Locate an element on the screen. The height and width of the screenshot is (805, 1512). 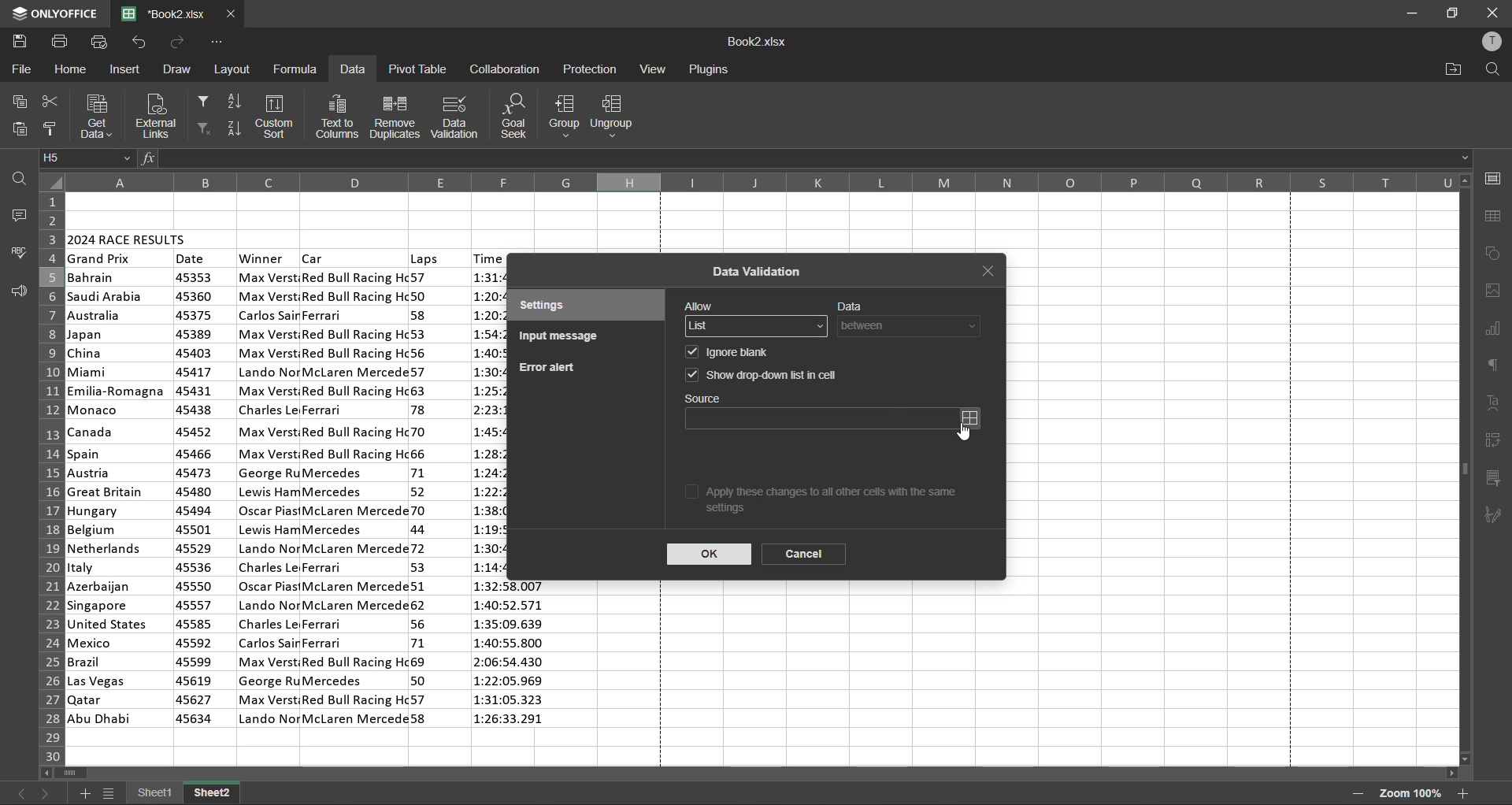
custom sort is located at coordinates (278, 117).